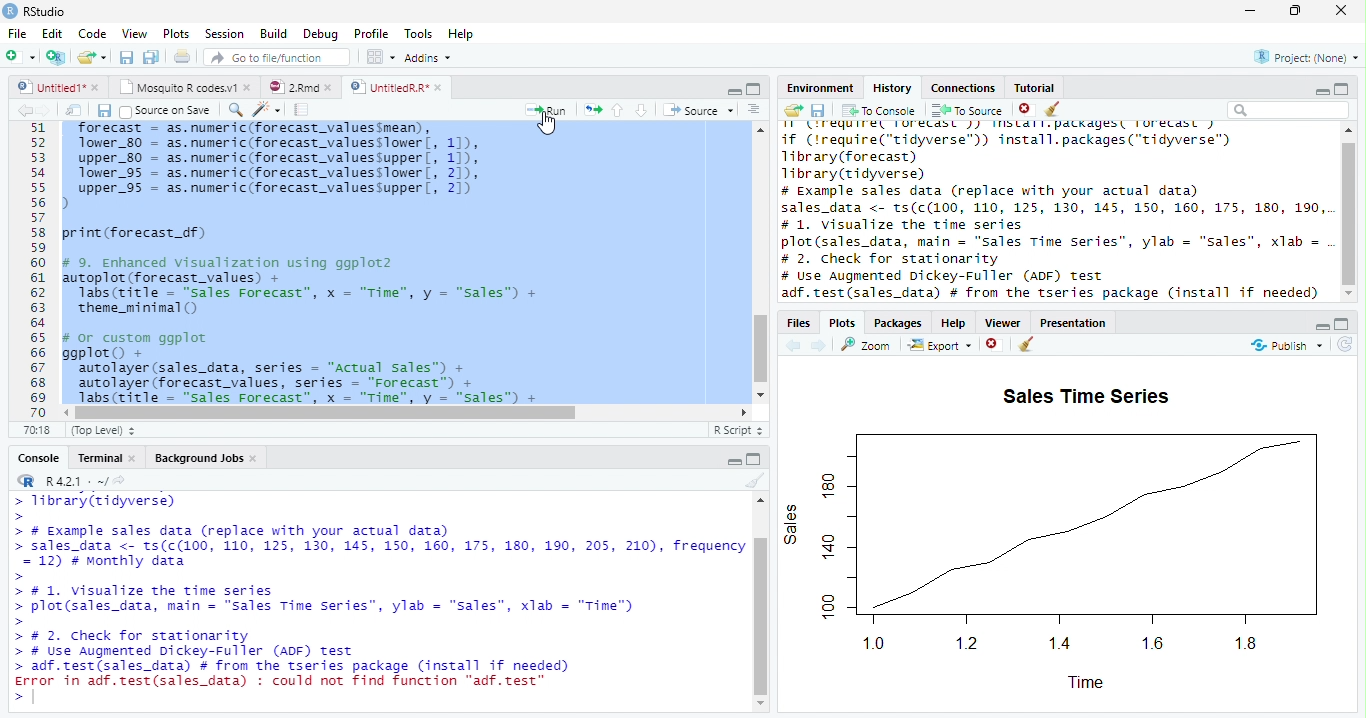 This screenshot has height=718, width=1366. What do you see at coordinates (818, 110) in the screenshot?
I see `save` at bounding box center [818, 110].